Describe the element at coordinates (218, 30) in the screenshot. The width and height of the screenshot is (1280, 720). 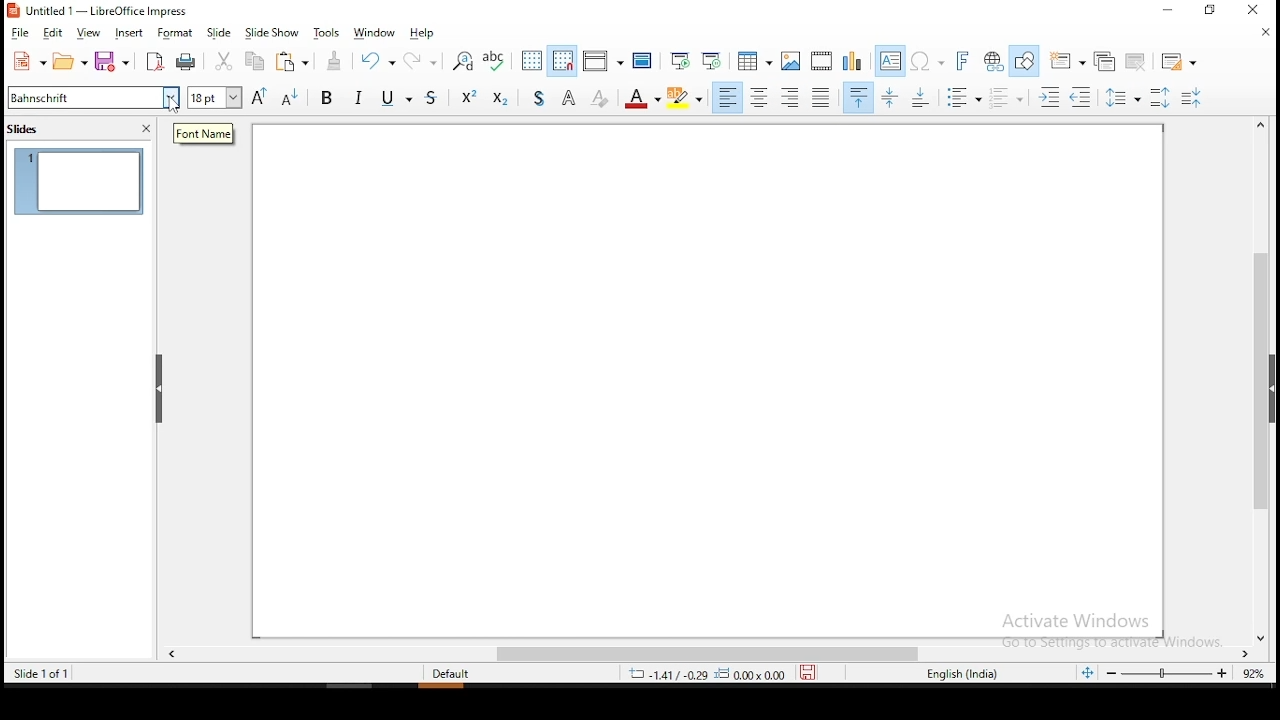
I see `slide` at that location.